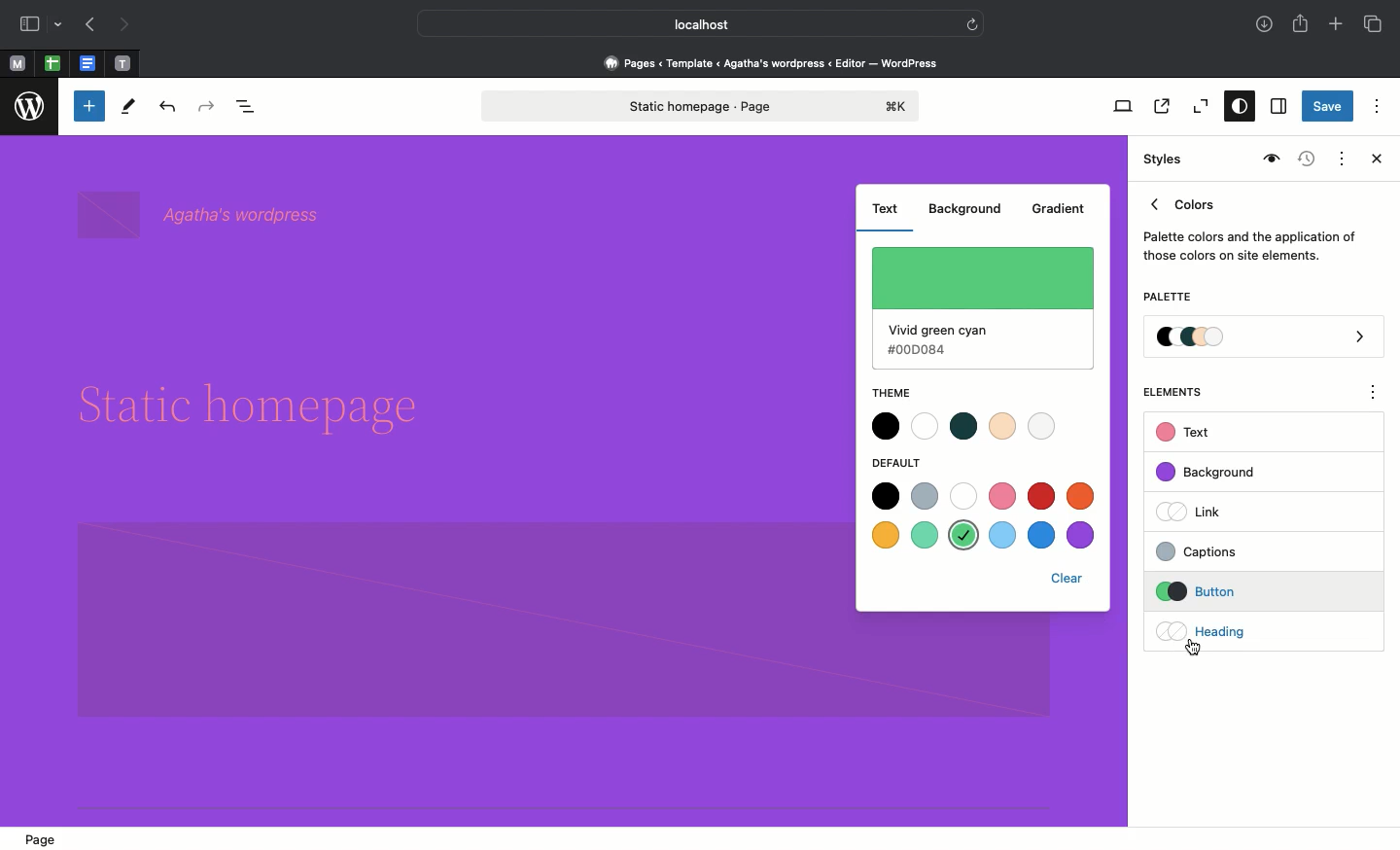 This screenshot has height=850, width=1400. Describe the element at coordinates (983, 308) in the screenshot. I see `Green selected` at that location.